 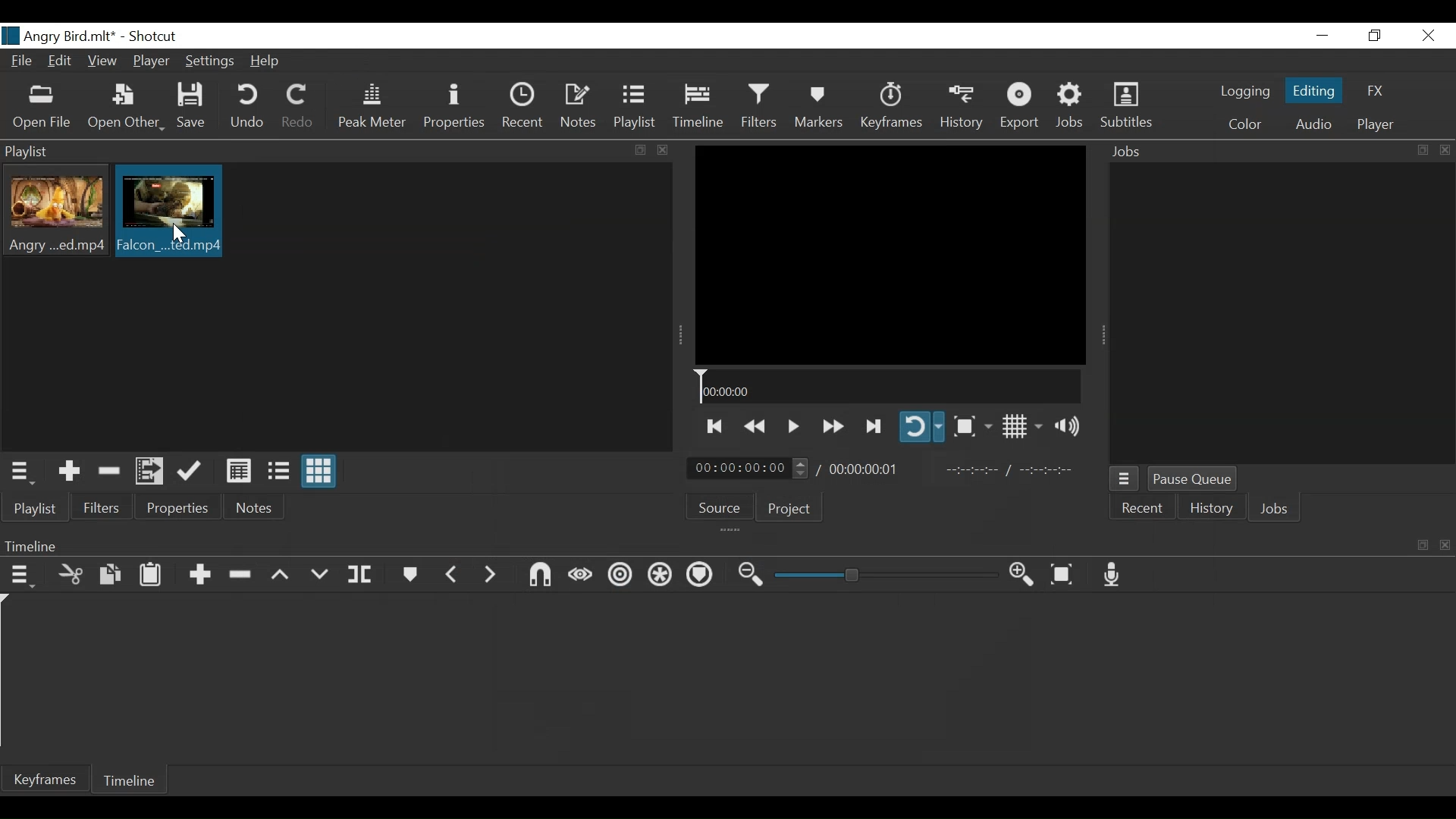 I want to click on Close, so click(x=1426, y=36).